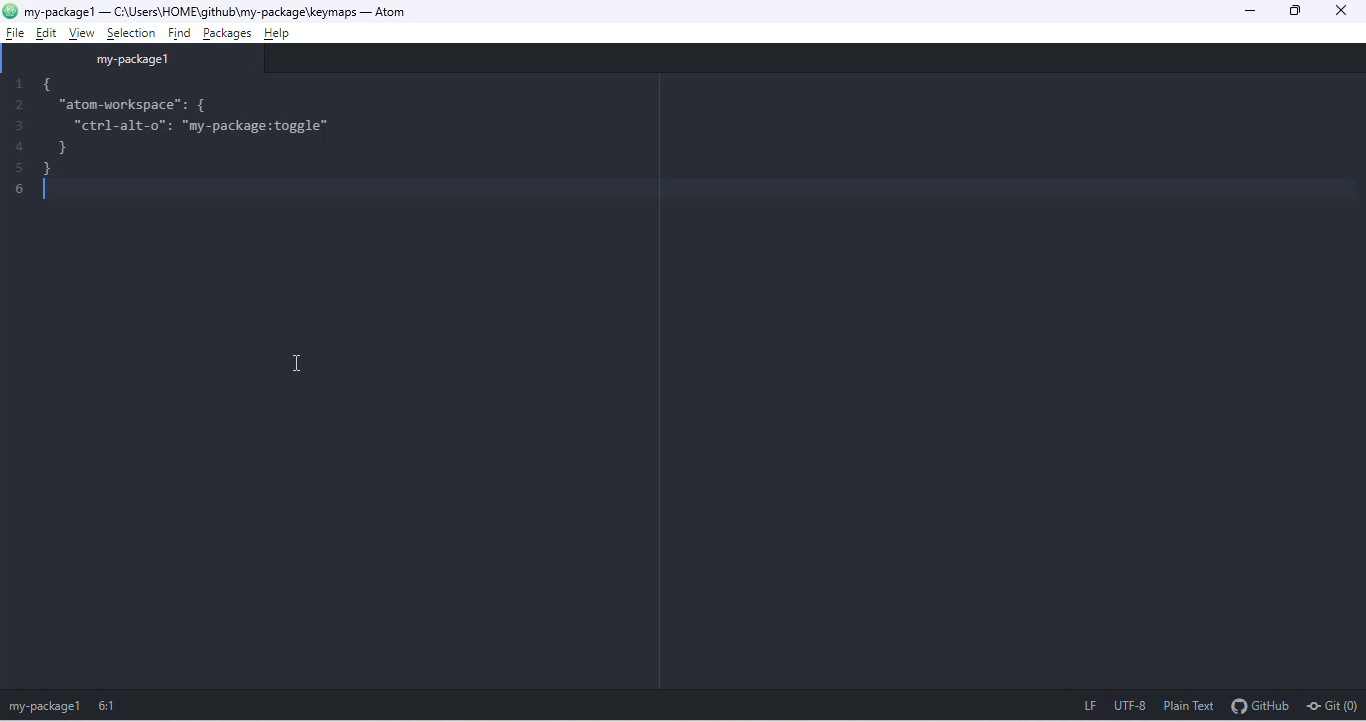  Describe the element at coordinates (53, 193) in the screenshot. I see `typing crusor` at that location.